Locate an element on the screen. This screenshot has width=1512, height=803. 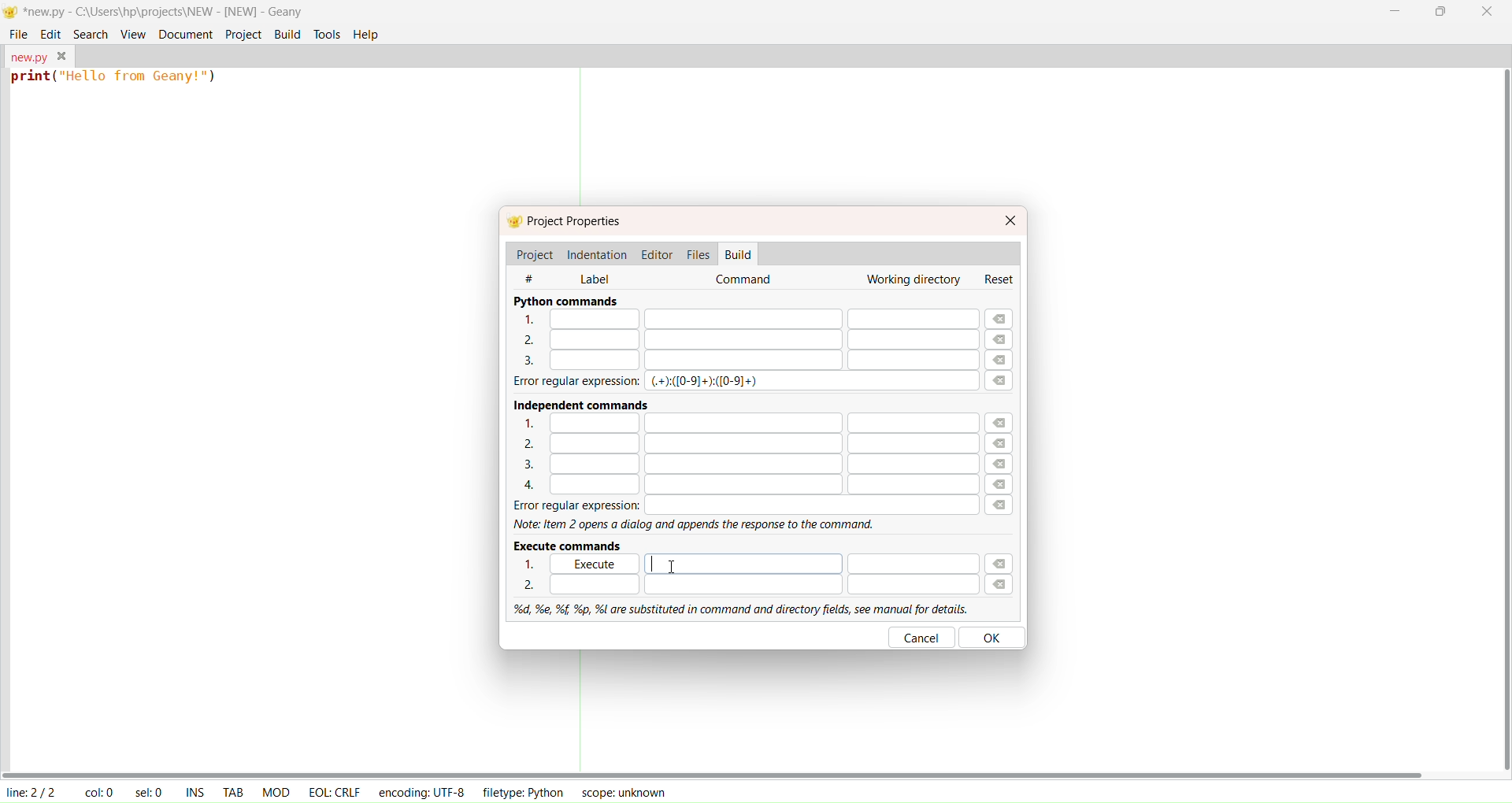
file type: Python is located at coordinates (521, 794).